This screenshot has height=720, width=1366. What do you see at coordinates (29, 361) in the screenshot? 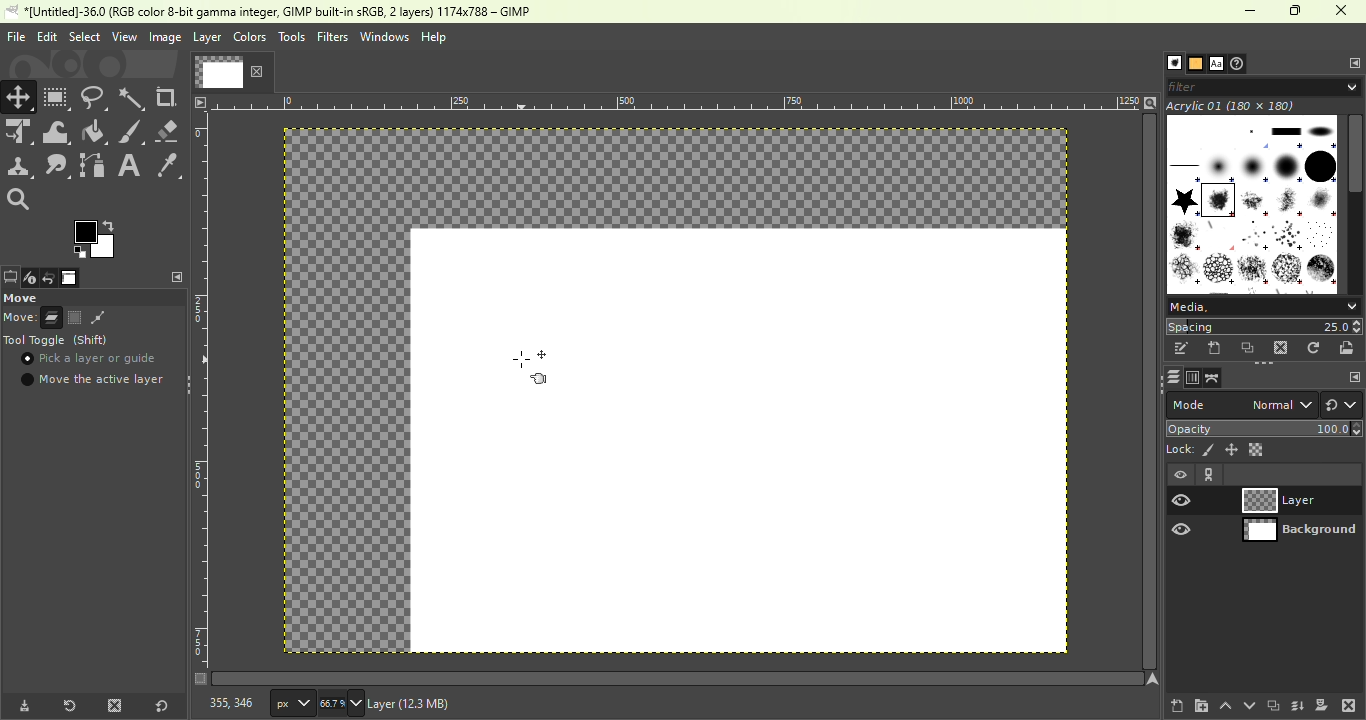
I see `Cursor` at bounding box center [29, 361].